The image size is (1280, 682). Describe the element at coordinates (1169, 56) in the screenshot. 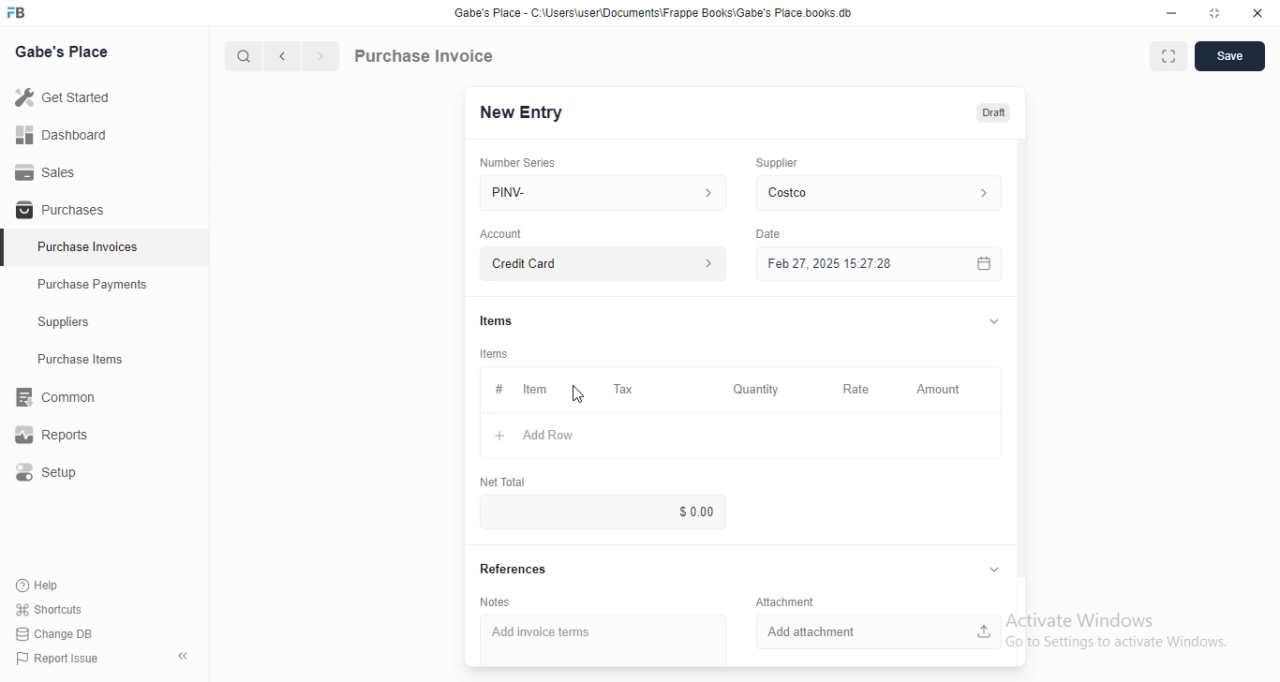

I see `Toggle between form and full width` at that location.